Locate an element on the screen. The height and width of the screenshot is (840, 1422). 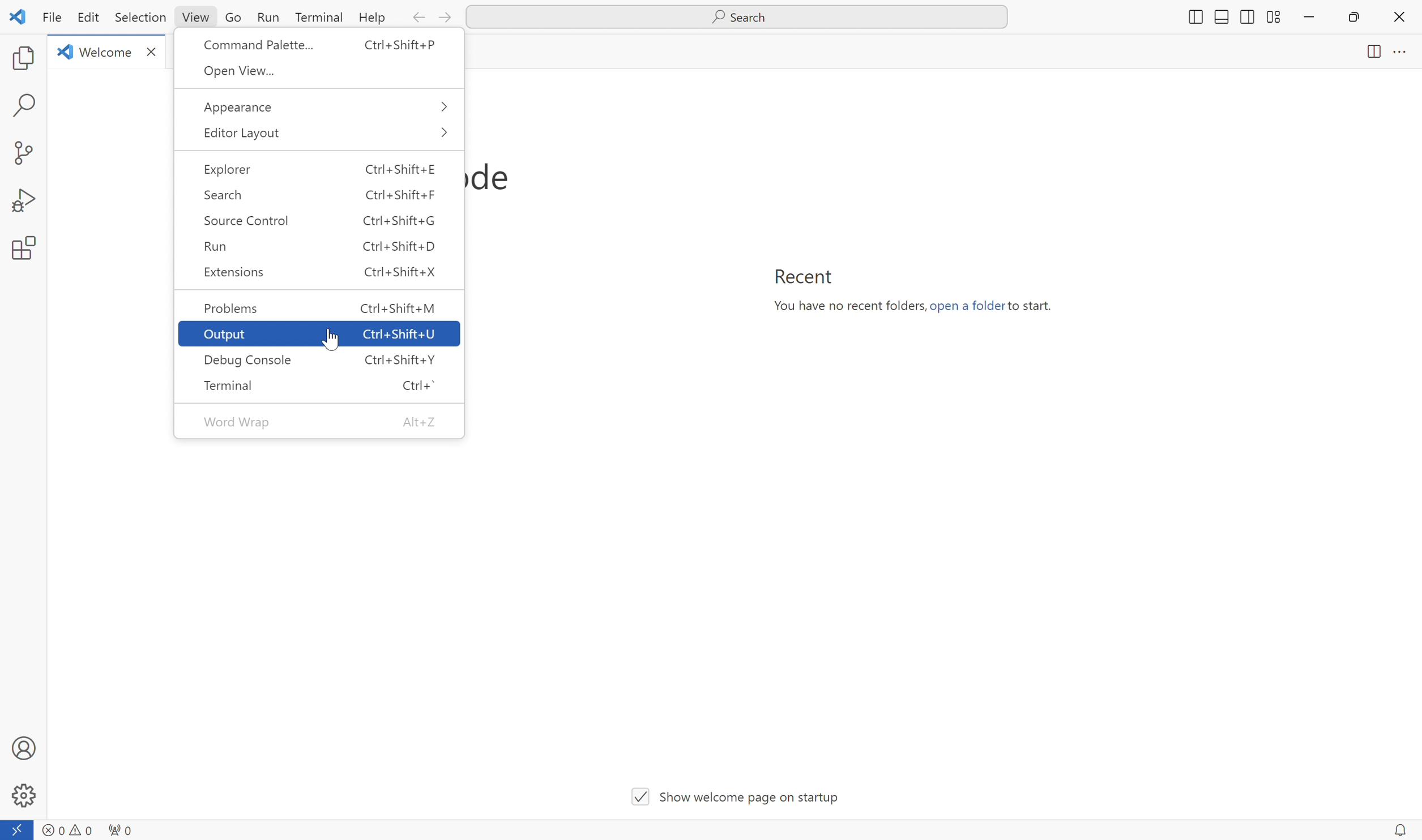
bug is located at coordinates (24, 198).